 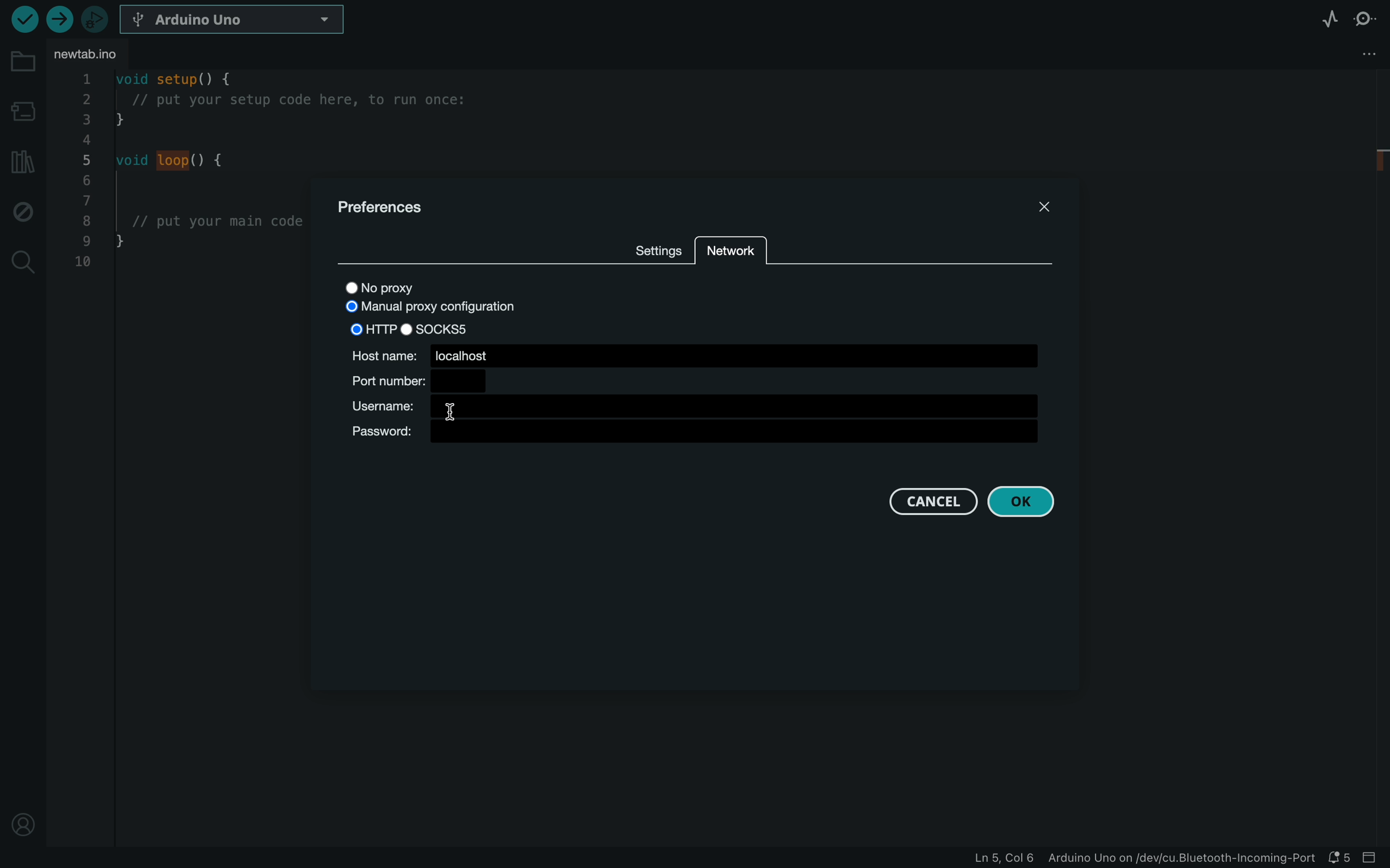 What do you see at coordinates (934, 501) in the screenshot?
I see `cancel` at bounding box center [934, 501].